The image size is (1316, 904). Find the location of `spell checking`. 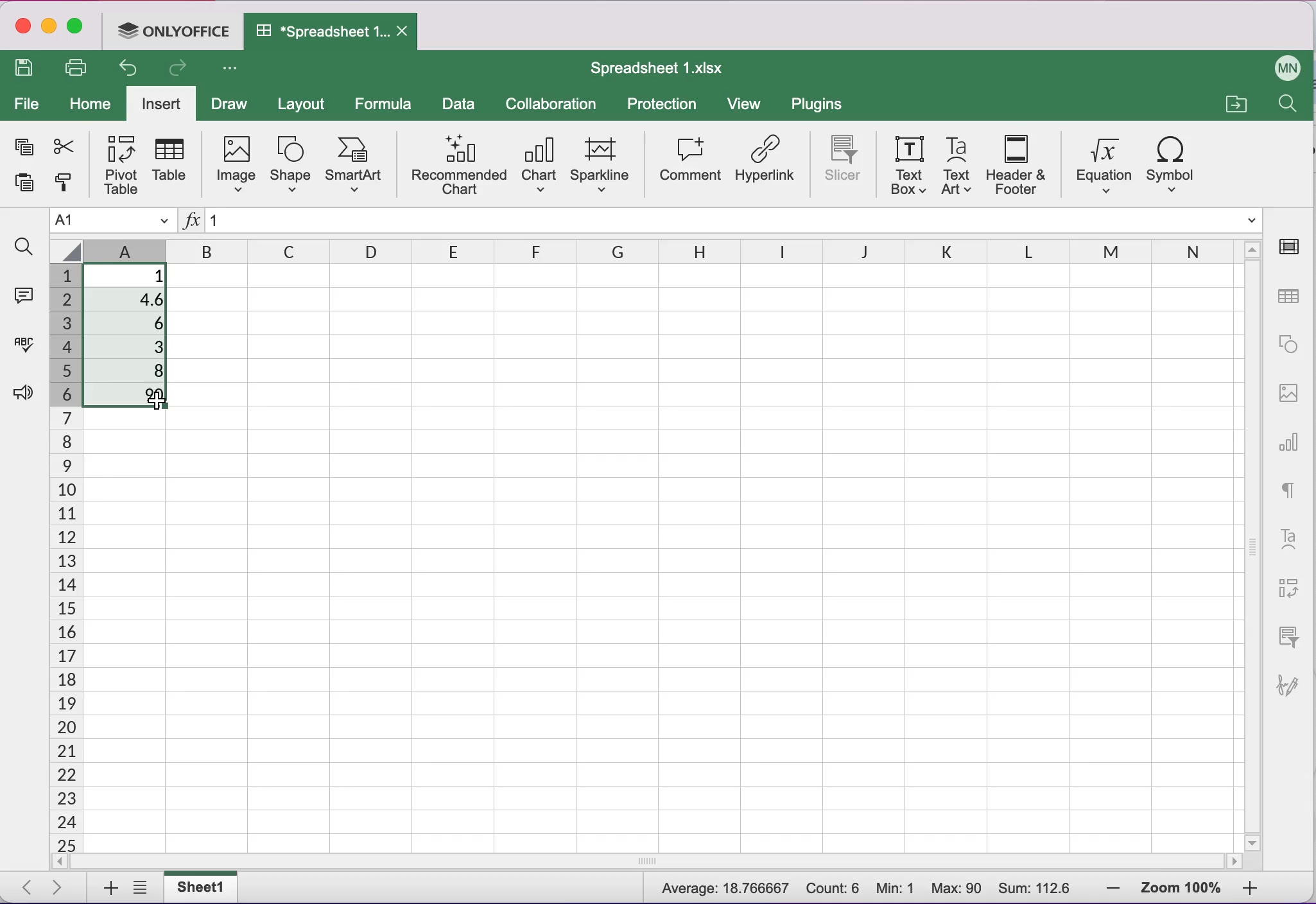

spell checking is located at coordinates (22, 345).